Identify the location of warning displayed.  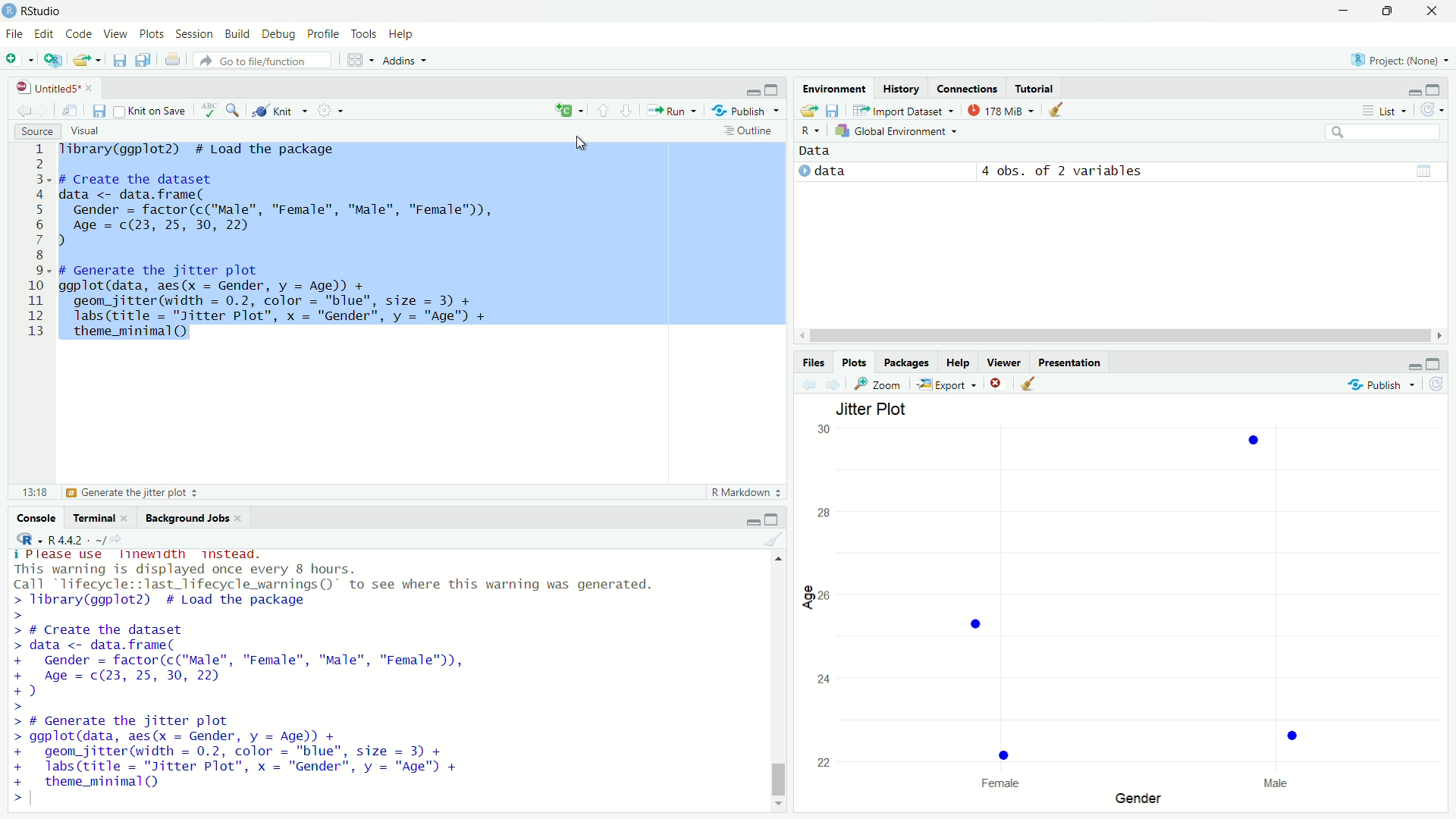
(329, 578).